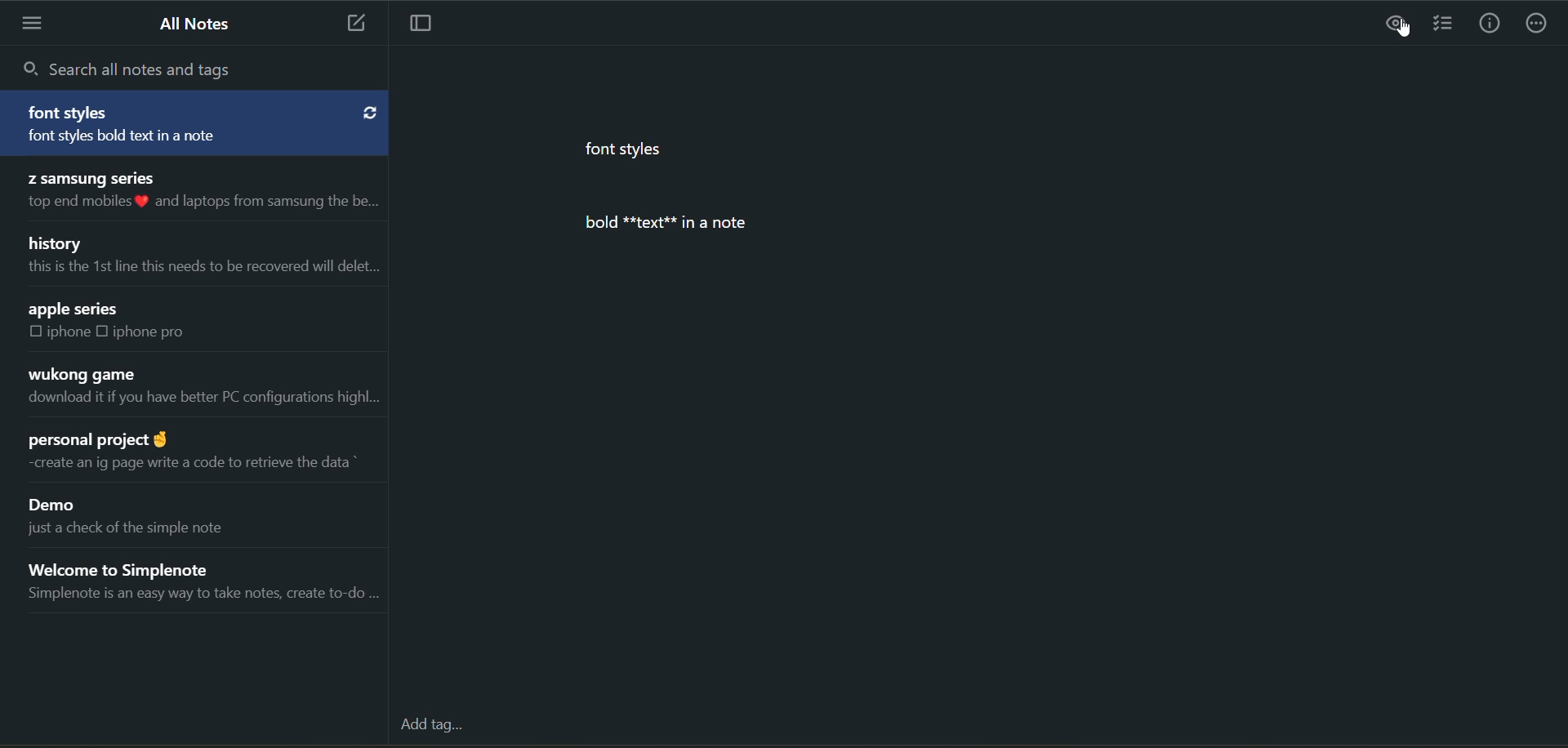 The height and width of the screenshot is (748, 1568). What do you see at coordinates (1397, 24) in the screenshot?
I see `preview` at bounding box center [1397, 24].